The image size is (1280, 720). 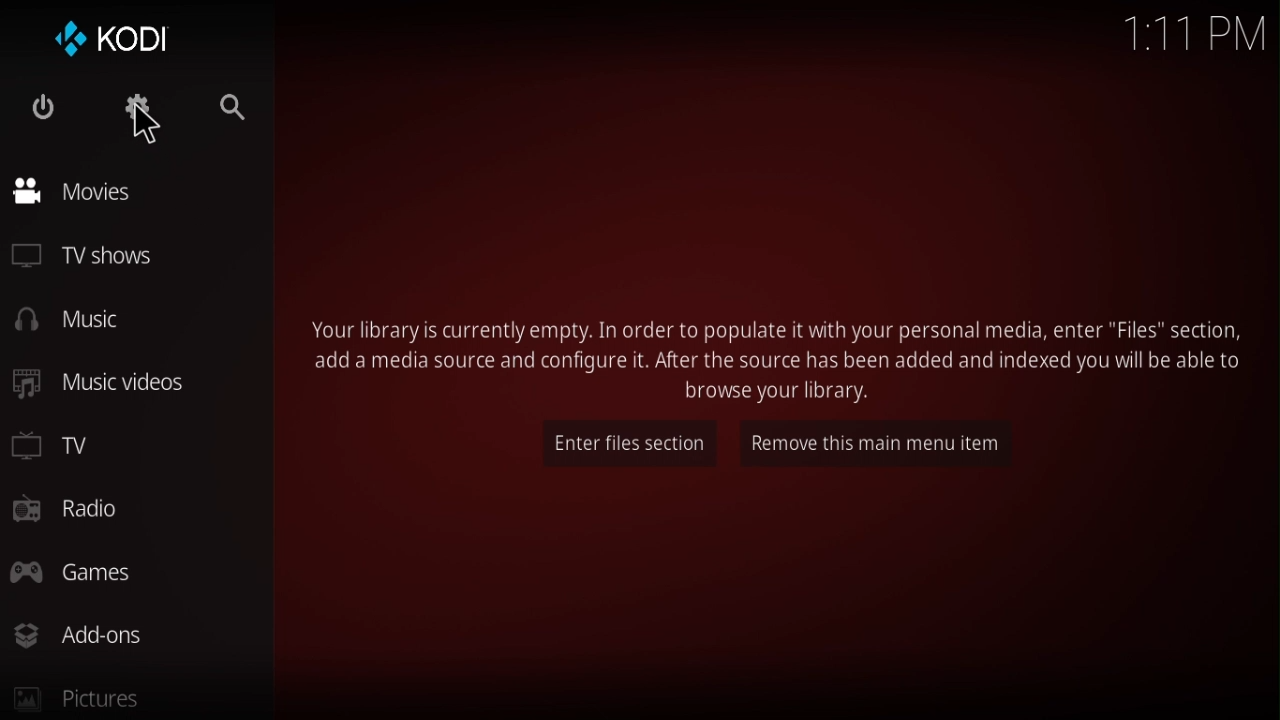 What do you see at coordinates (77, 698) in the screenshot?
I see `pictures` at bounding box center [77, 698].